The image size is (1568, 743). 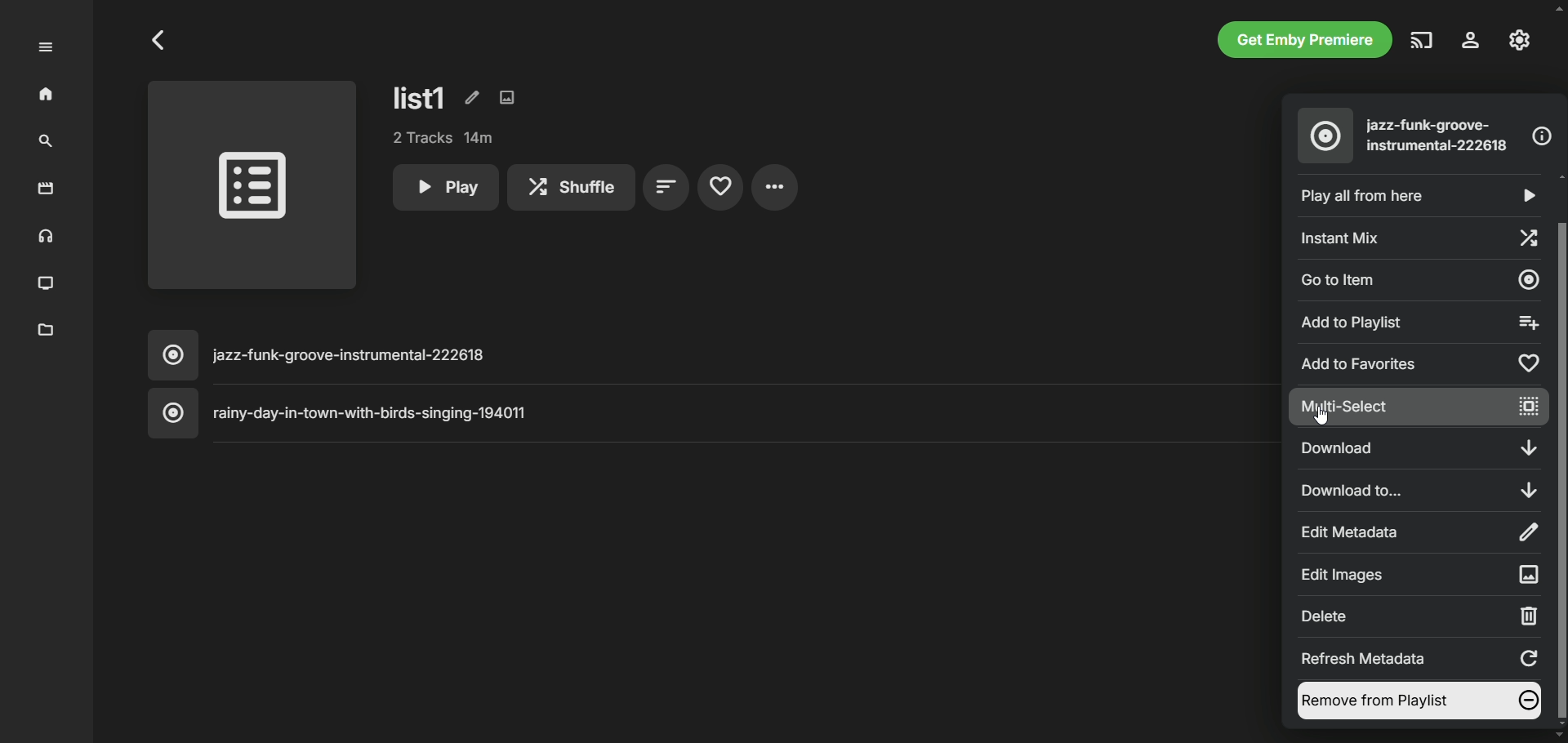 I want to click on edit metadata, so click(x=470, y=96).